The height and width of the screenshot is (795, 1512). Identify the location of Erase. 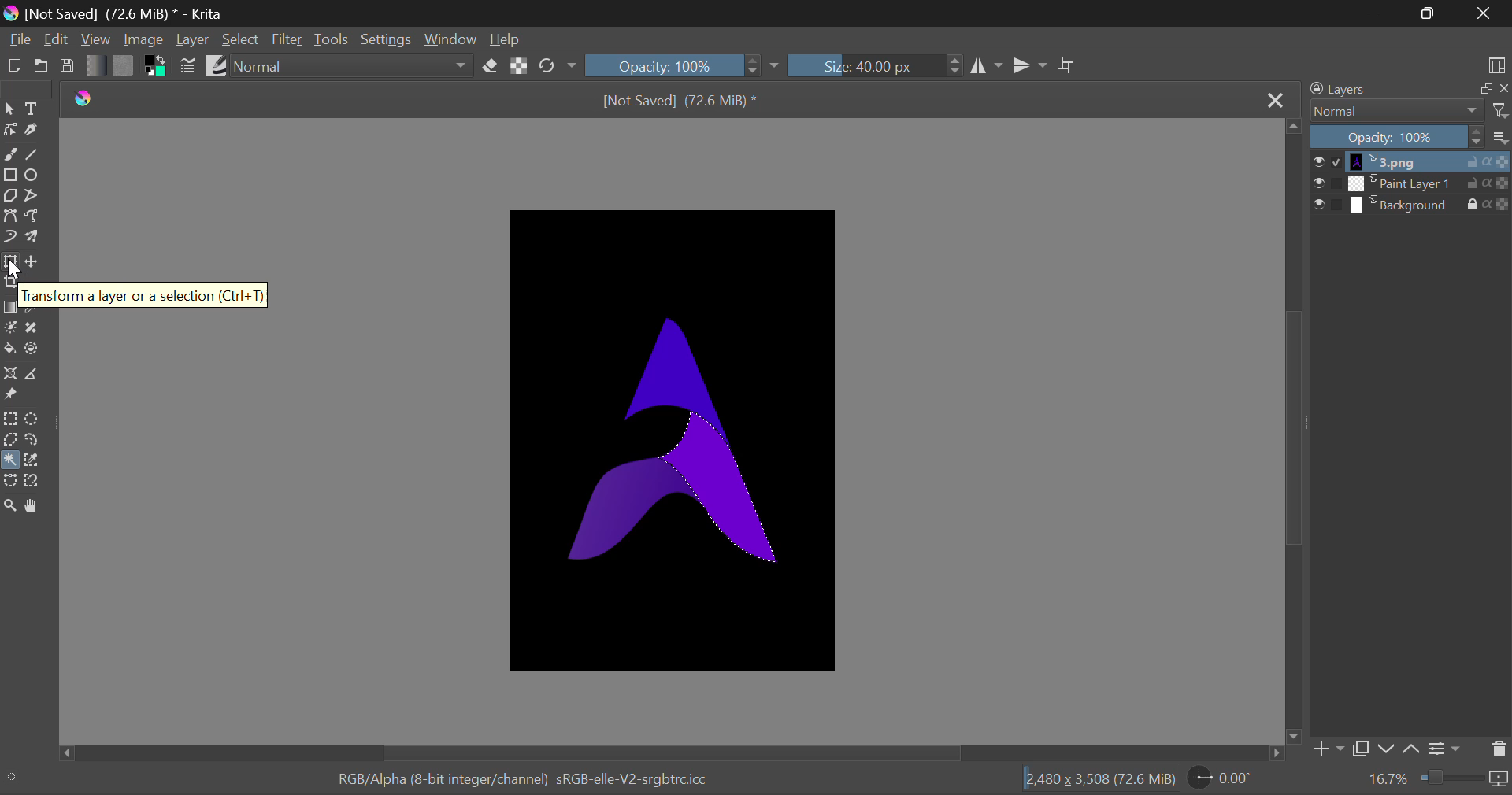
(491, 66).